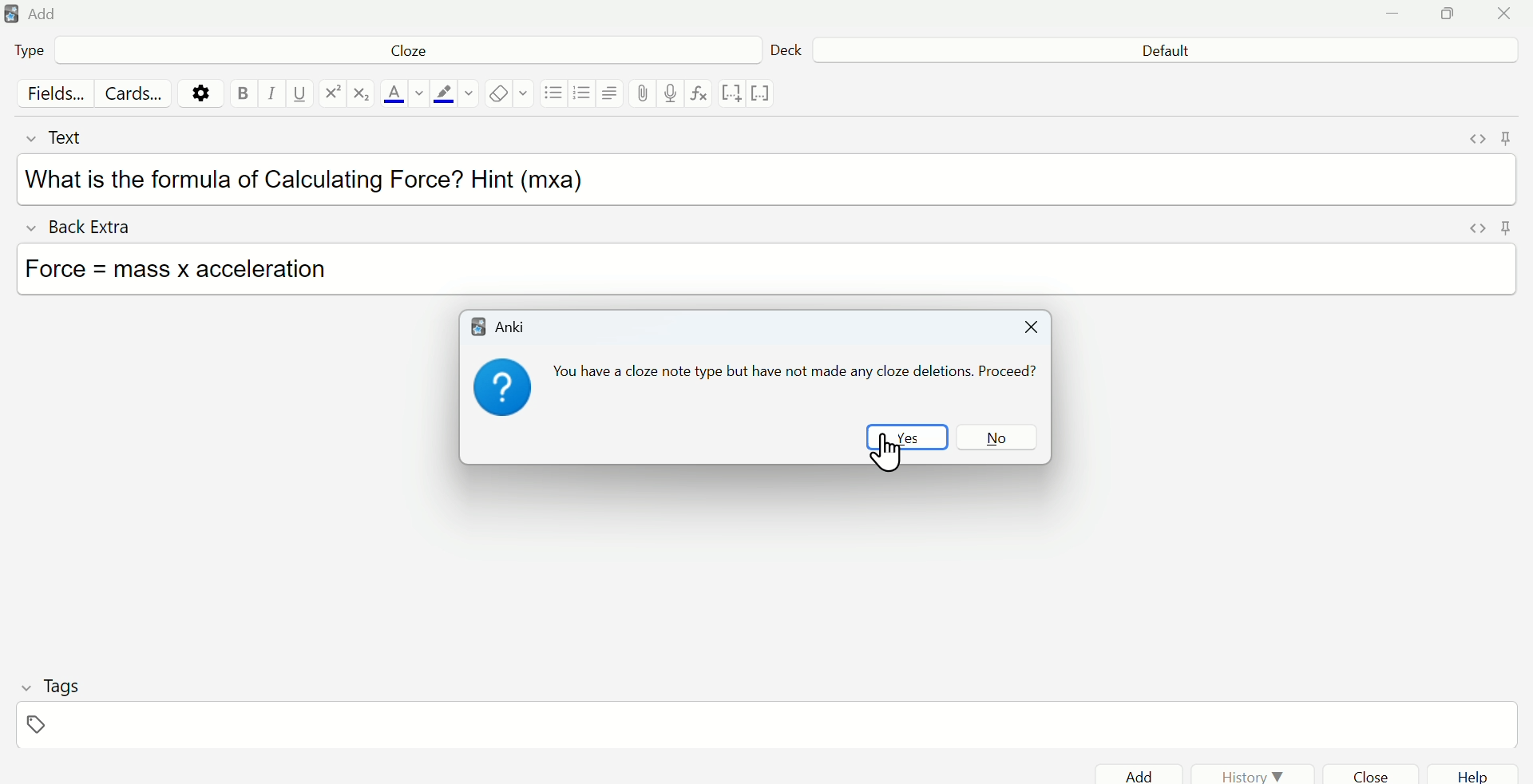  I want to click on question mark icon, so click(501, 386).